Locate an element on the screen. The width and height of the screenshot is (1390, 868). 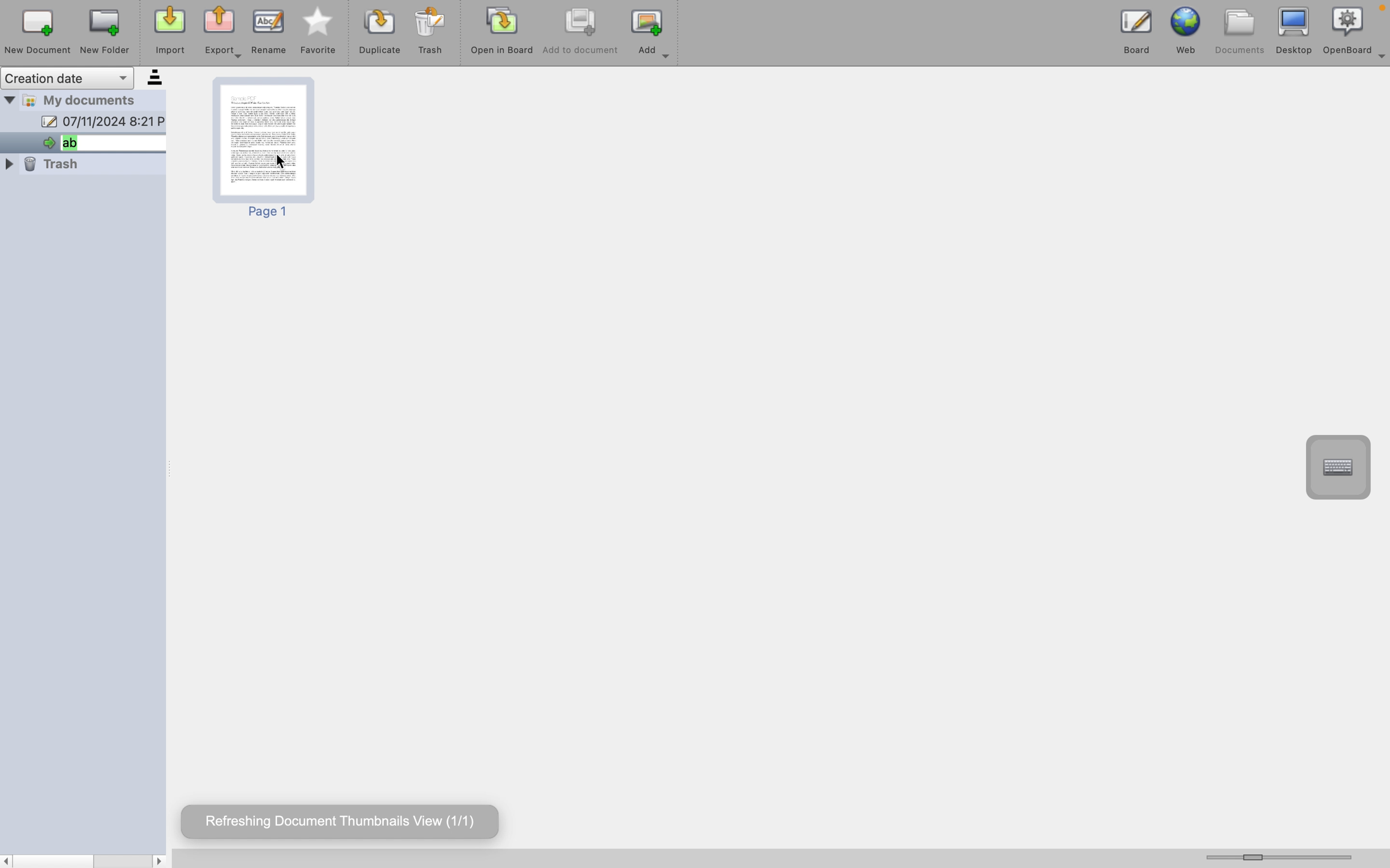
web is located at coordinates (1188, 29).